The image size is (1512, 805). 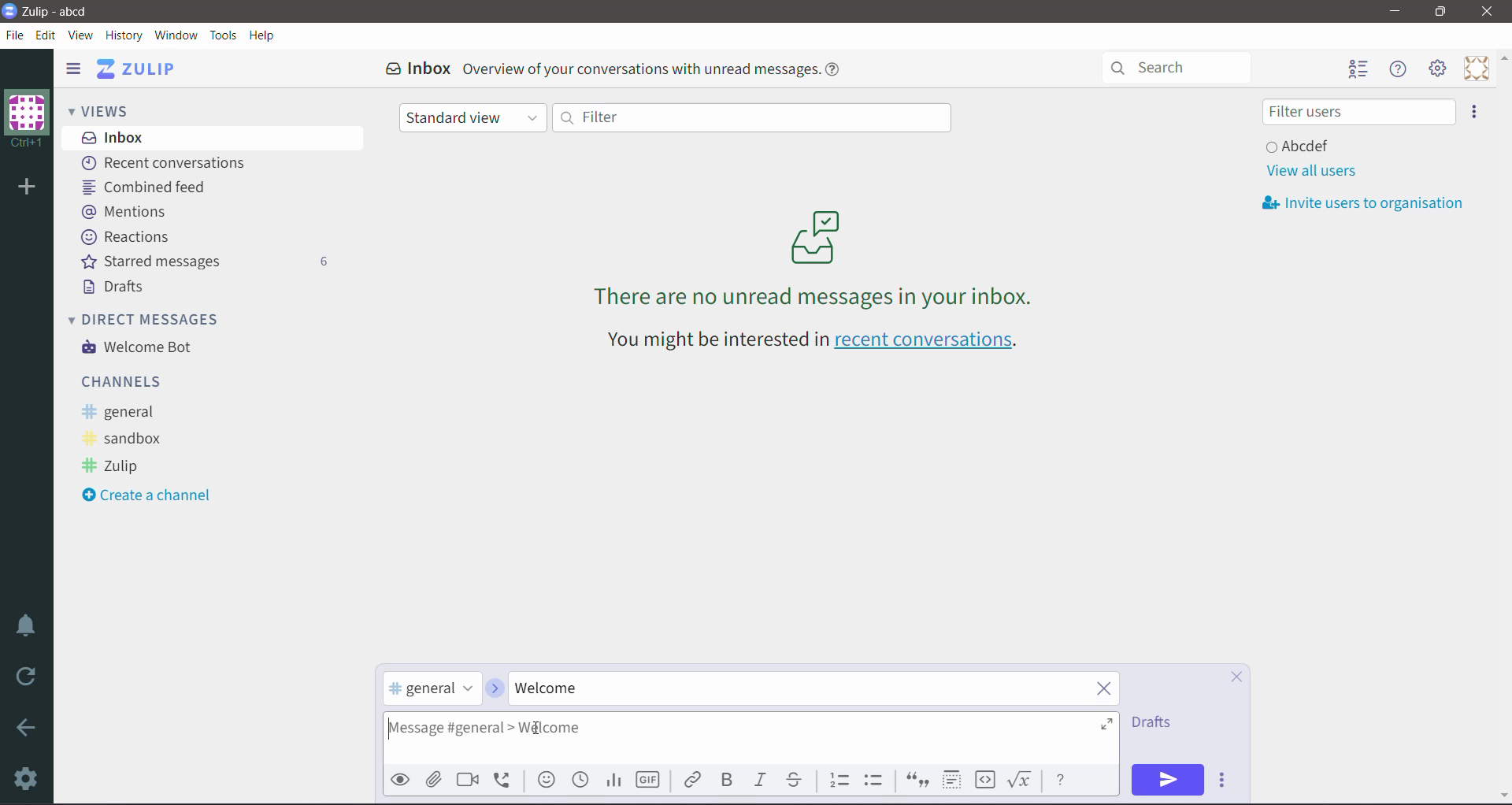 I want to click on View all users, so click(x=1310, y=171).